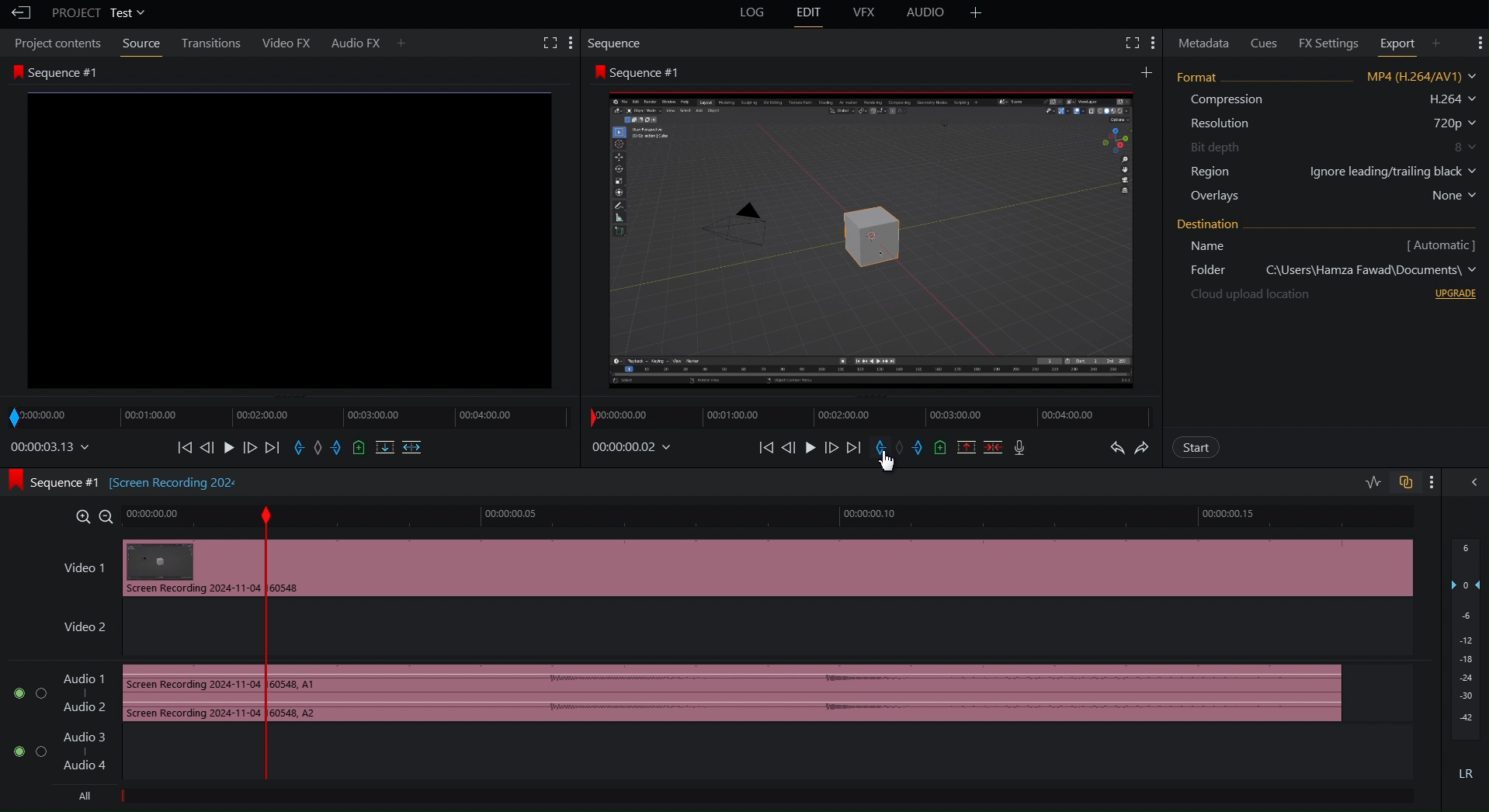 This screenshot has width=1489, height=812. I want to click on Tools, so click(552, 42).